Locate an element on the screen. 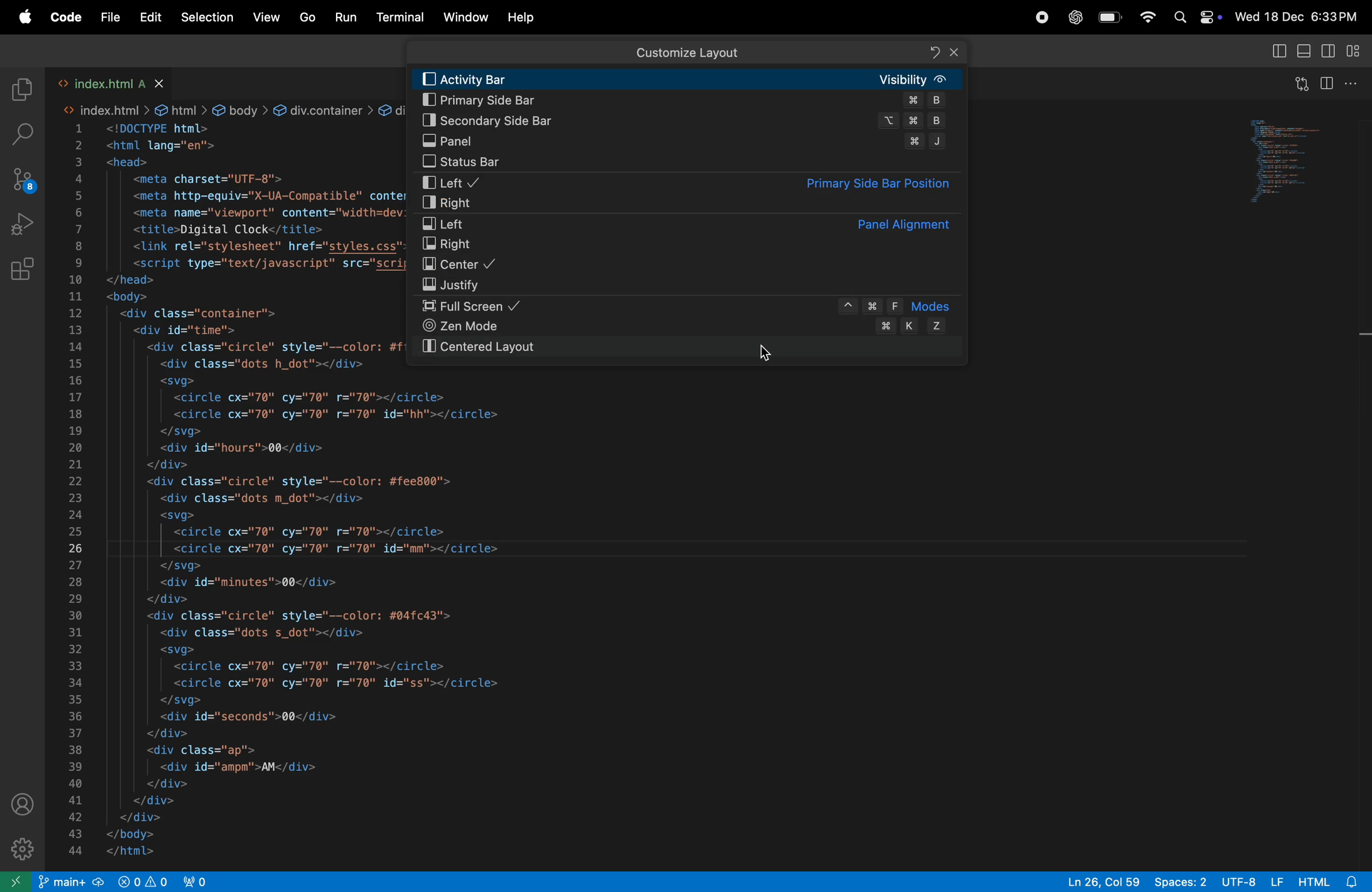 The width and height of the screenshot is (1372, 892). panel is located at coordinates (691, 141).